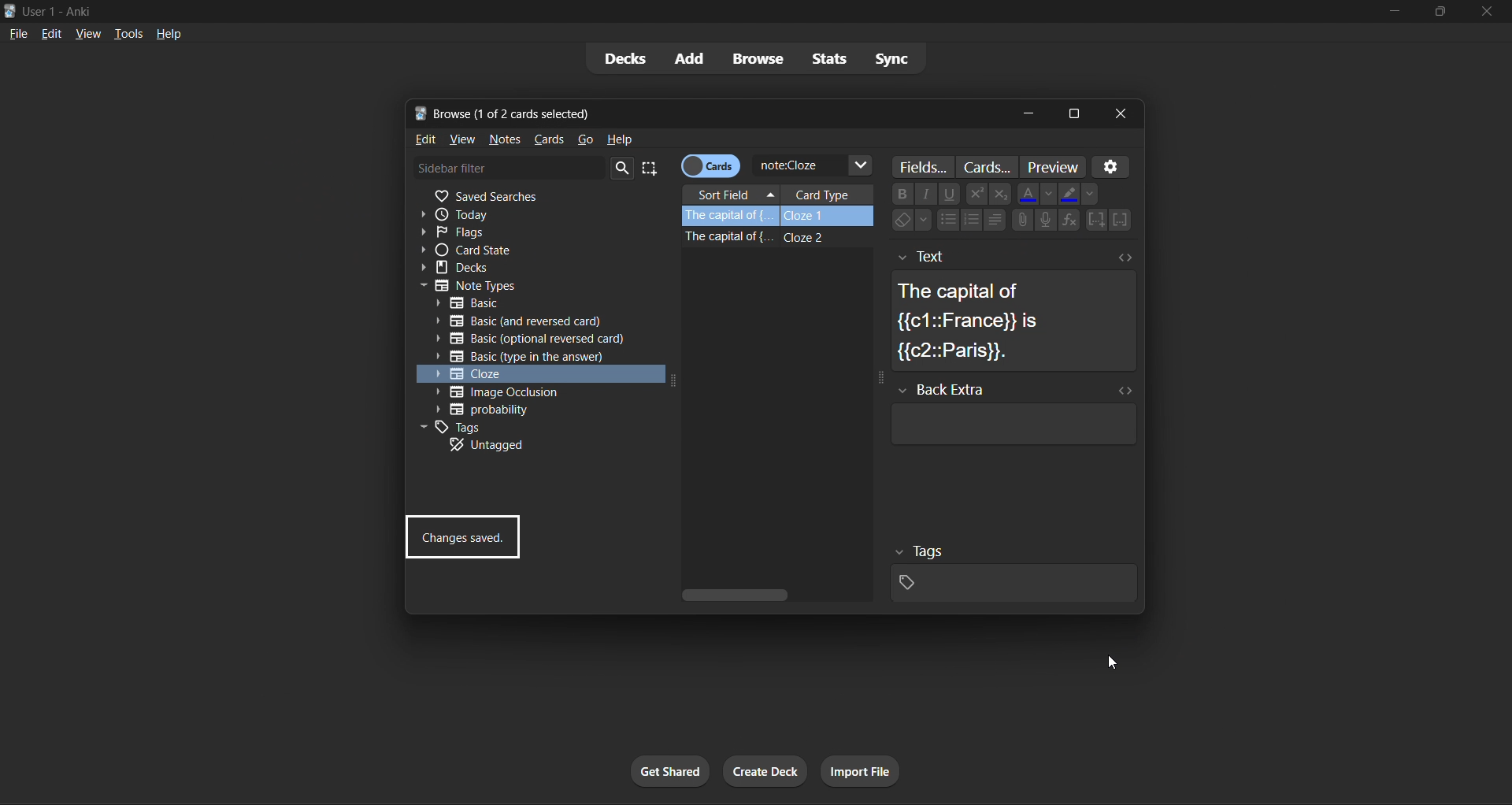 This screenshot has width=1512, height=805. I want to click on image occlusion, so click(521, 391).